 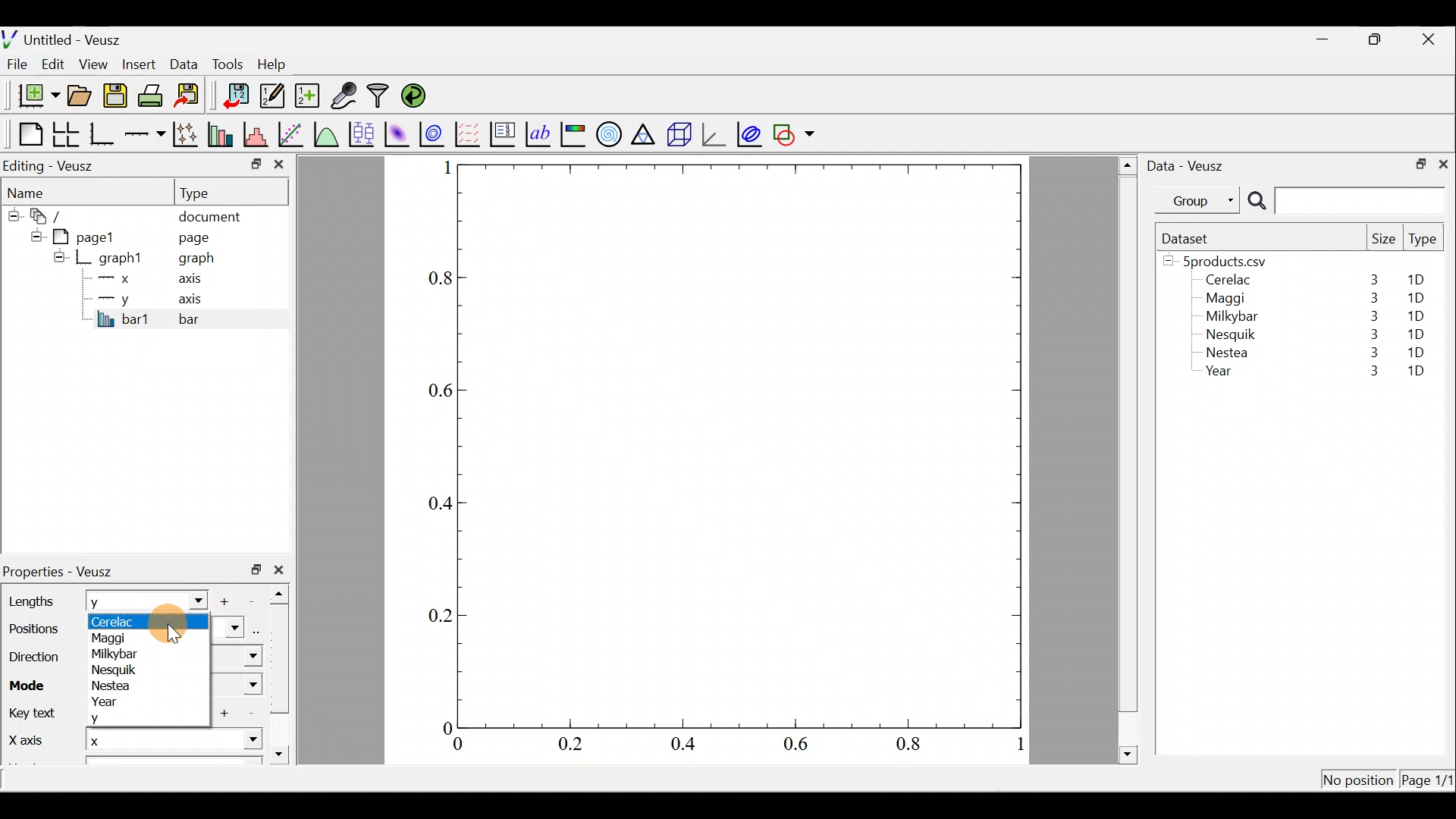 What do you see at coordinates (36, 714) in the screenshot?
I see `Key text` at bounding box center [36, 714].